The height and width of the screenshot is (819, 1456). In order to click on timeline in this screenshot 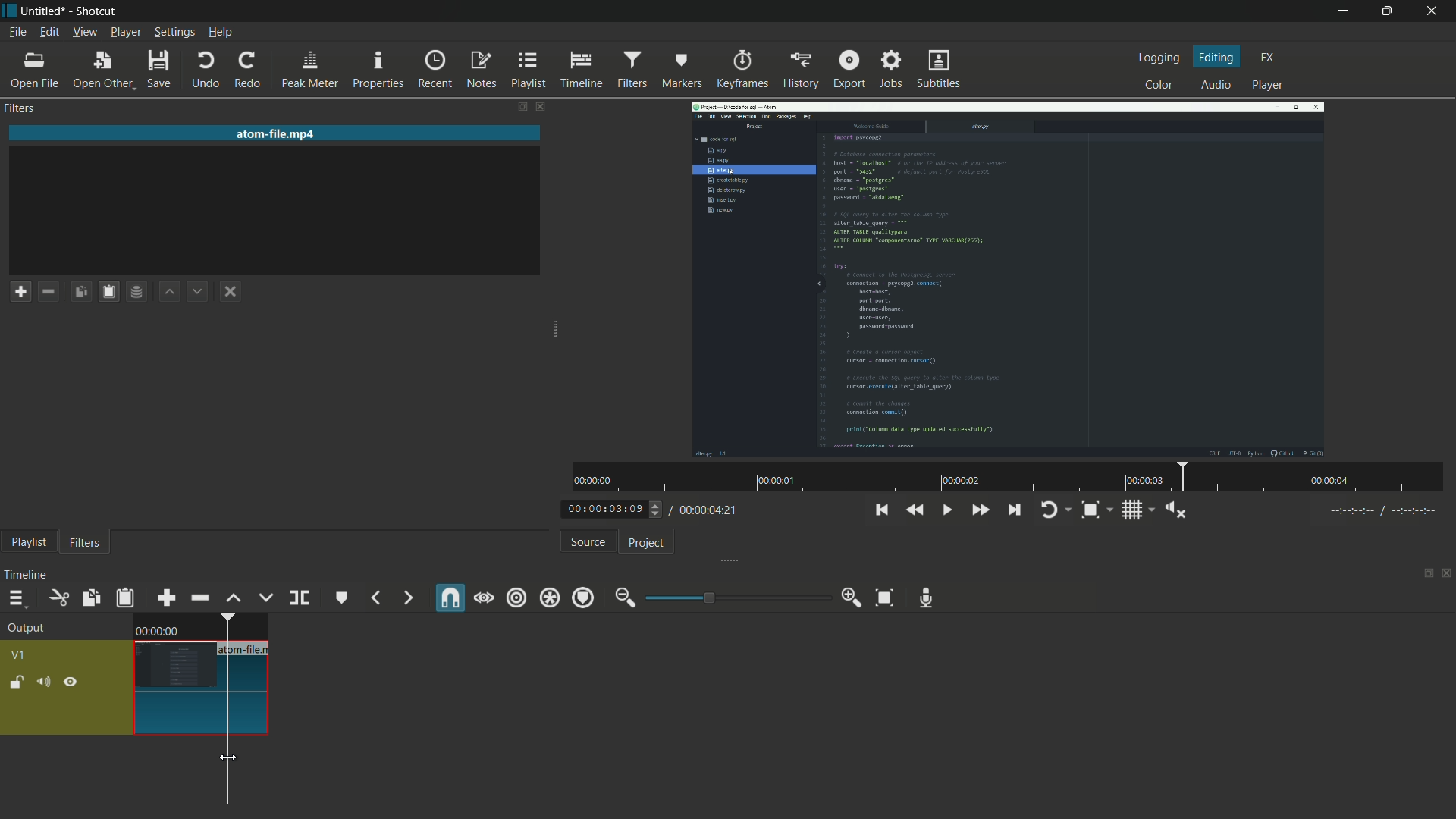, I will do `click(581, 71)`.